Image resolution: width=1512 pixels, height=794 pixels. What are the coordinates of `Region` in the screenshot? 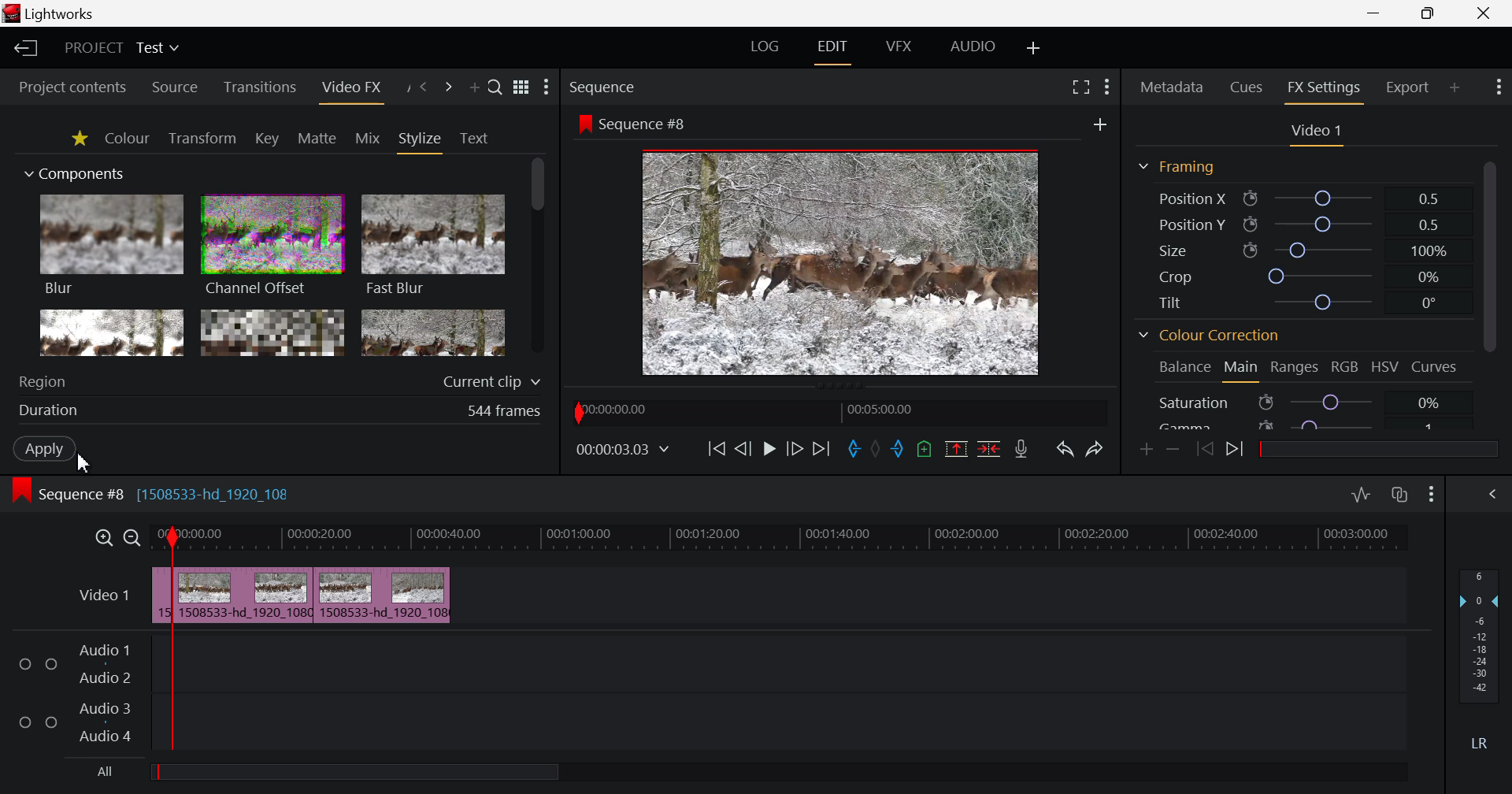 It's located at (280, 380).